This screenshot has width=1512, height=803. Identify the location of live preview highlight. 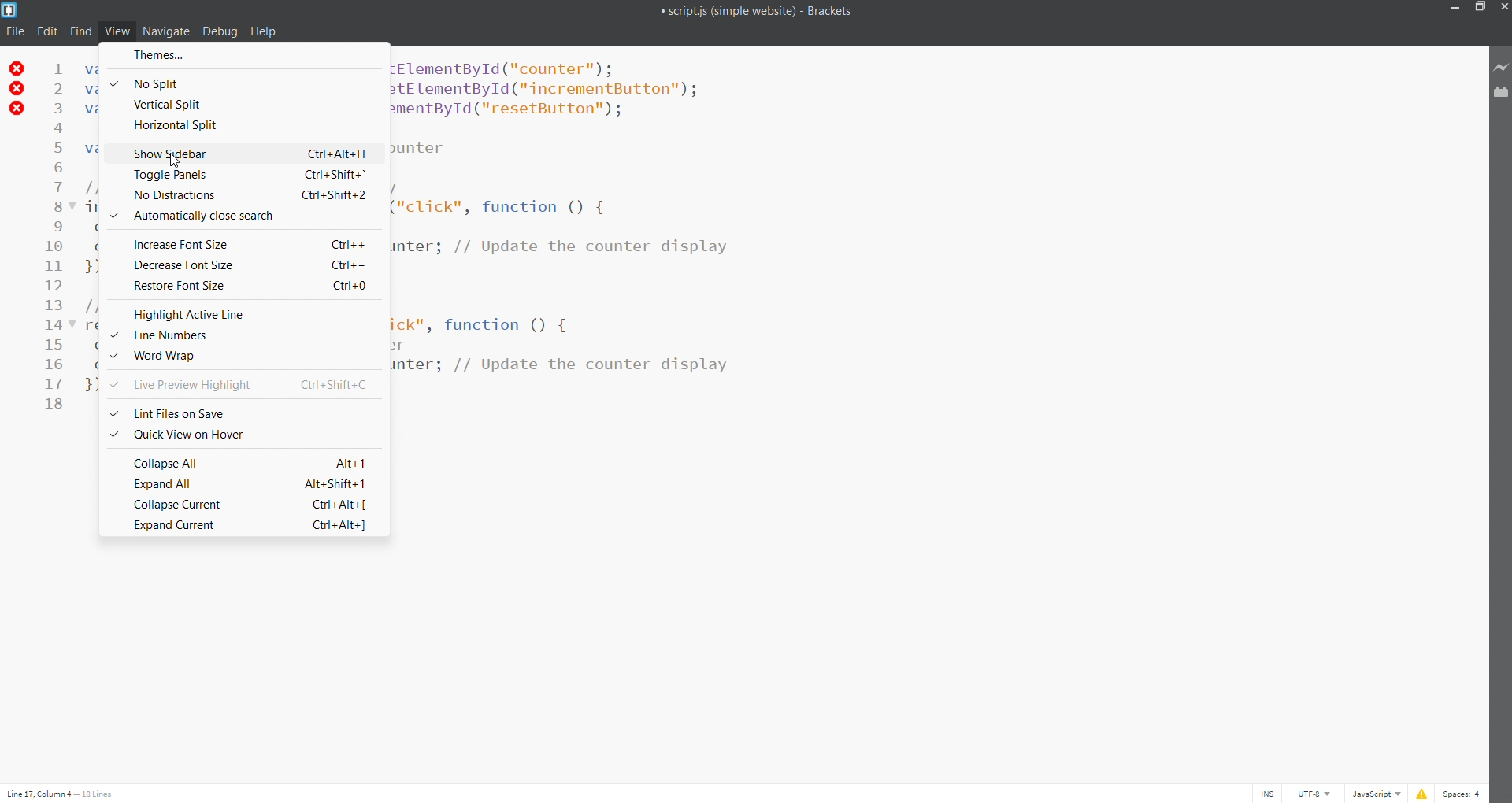
(244, 383).